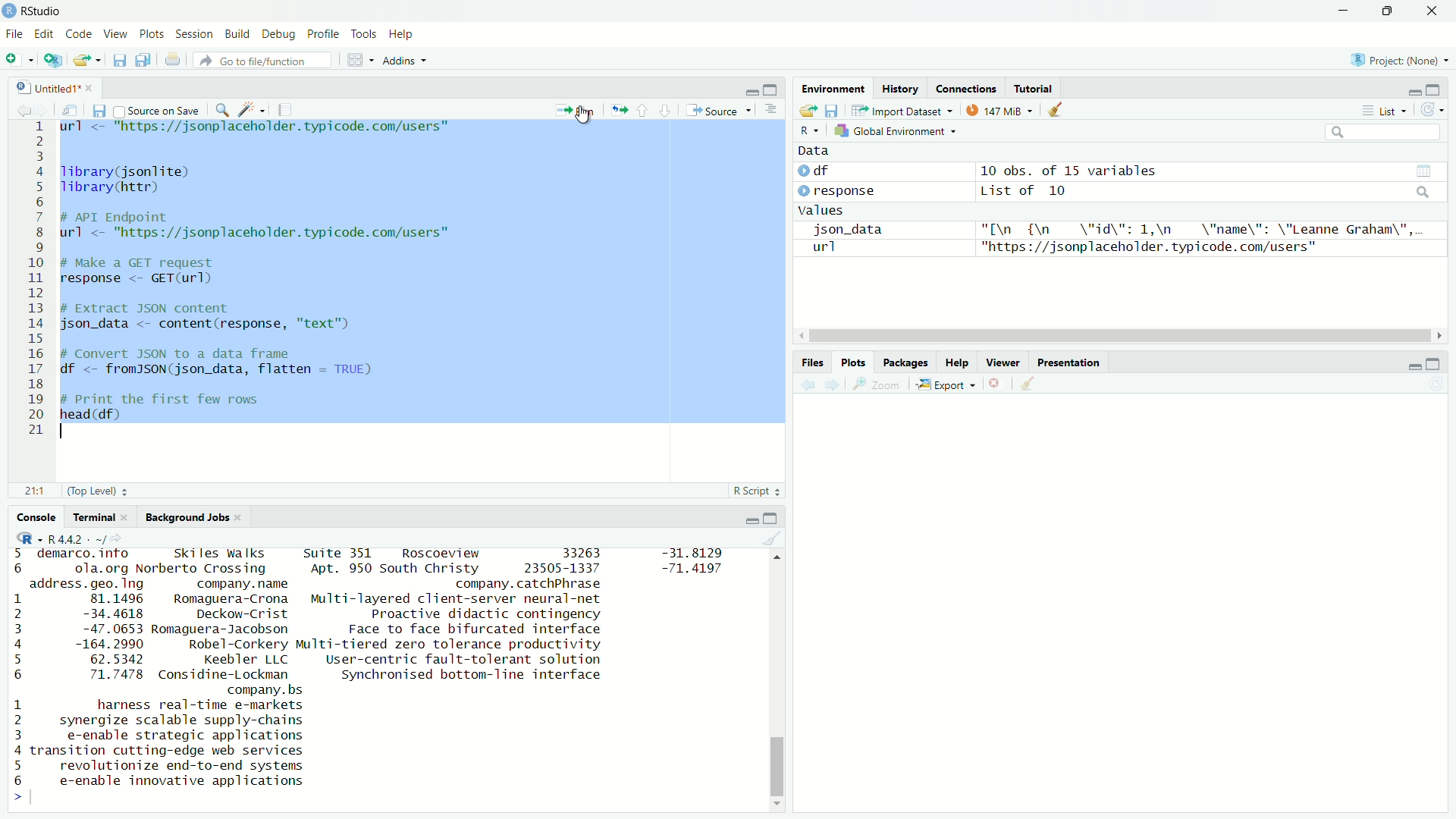 The width and height of the screenshot is (1456, 819). I want to click on Code, so click(78, 35).